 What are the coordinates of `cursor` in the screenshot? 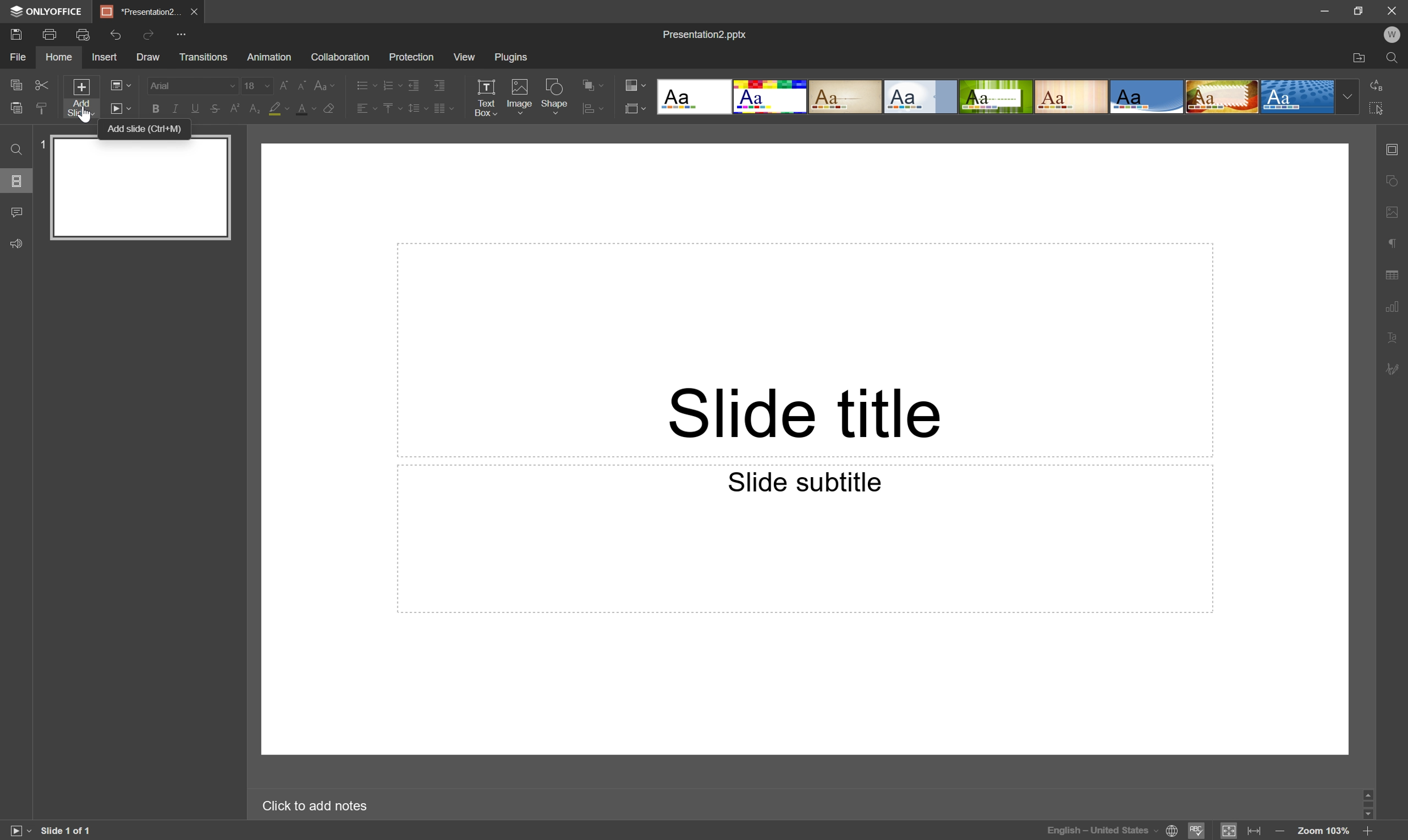 It's located at (89, 117).